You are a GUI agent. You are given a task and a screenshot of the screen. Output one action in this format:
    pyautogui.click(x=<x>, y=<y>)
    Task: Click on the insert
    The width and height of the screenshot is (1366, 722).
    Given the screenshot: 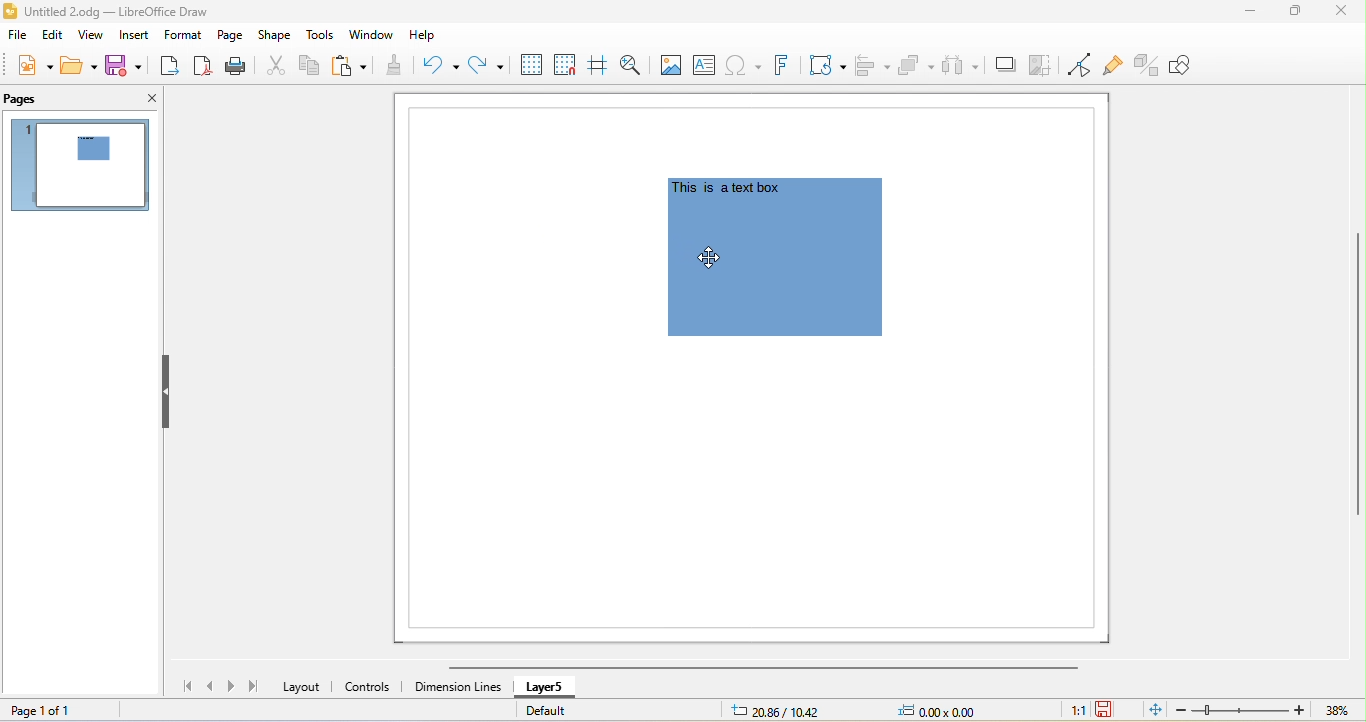 What is the action you would take?
    pyautogui.click(x=133, y=36)
    